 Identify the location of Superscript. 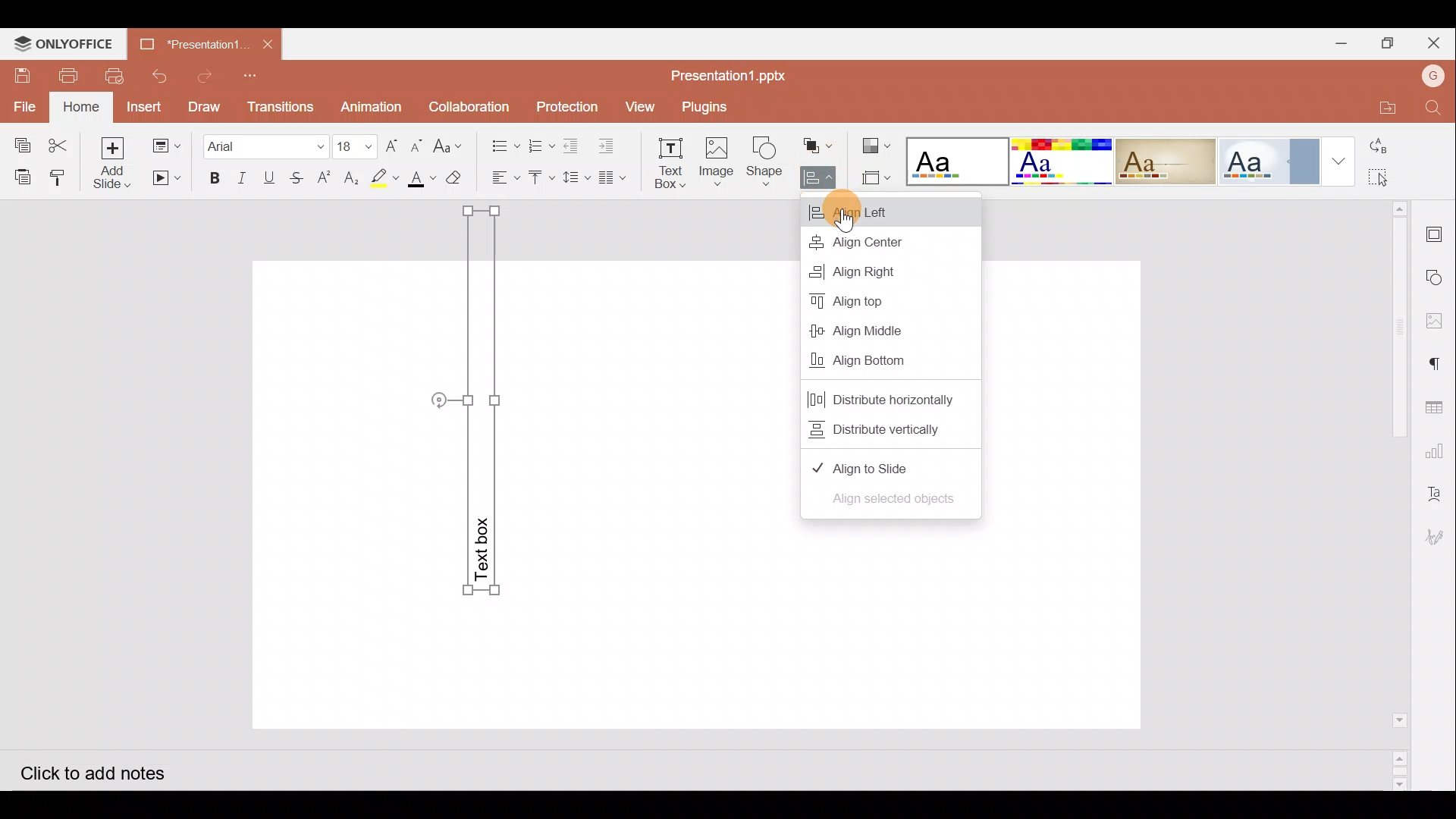
(328, 179).